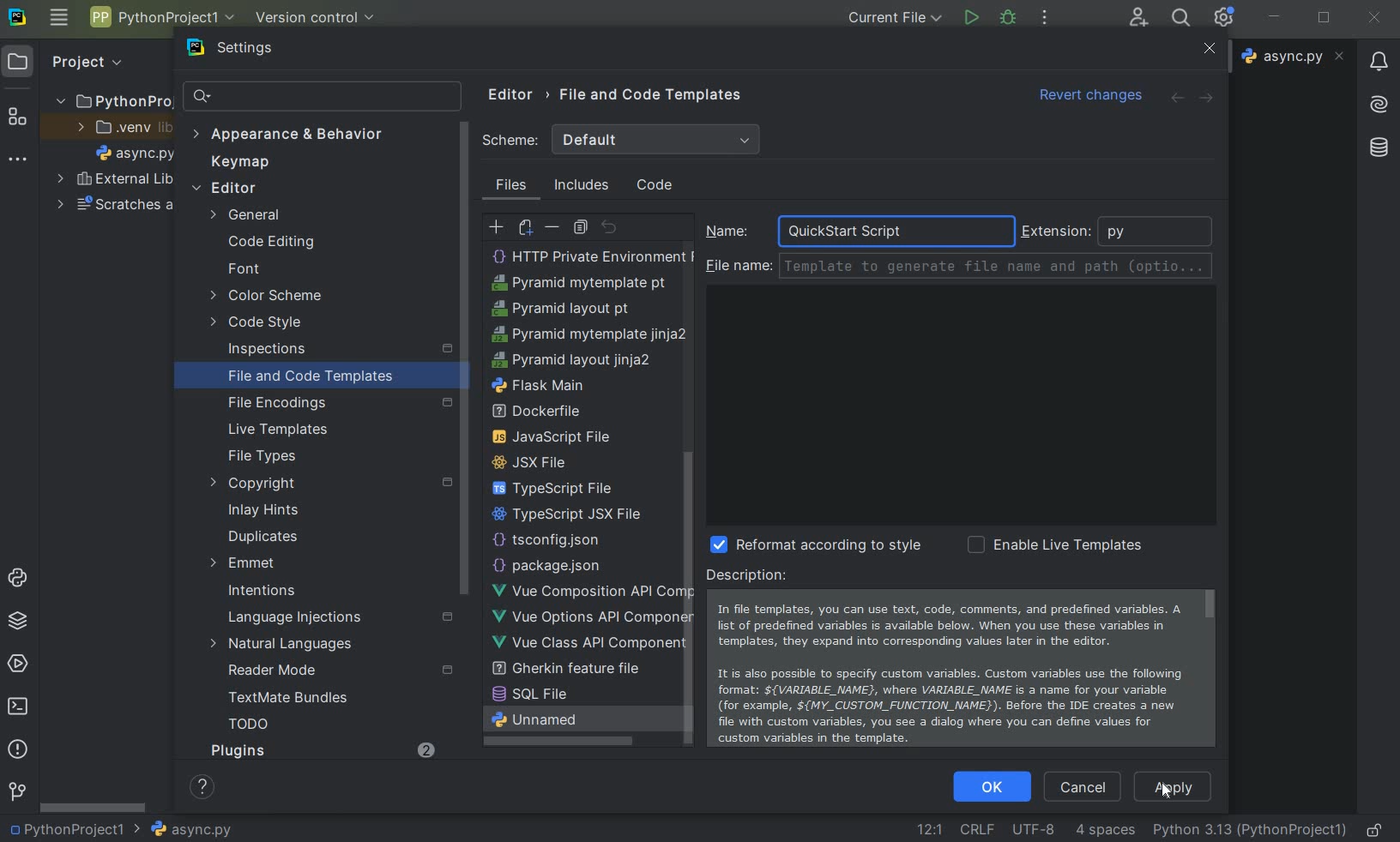 This screenshot has width=1400, height=842. Describe the element at coordinates (513, 187) in the screenshot. I see `files` at that location.